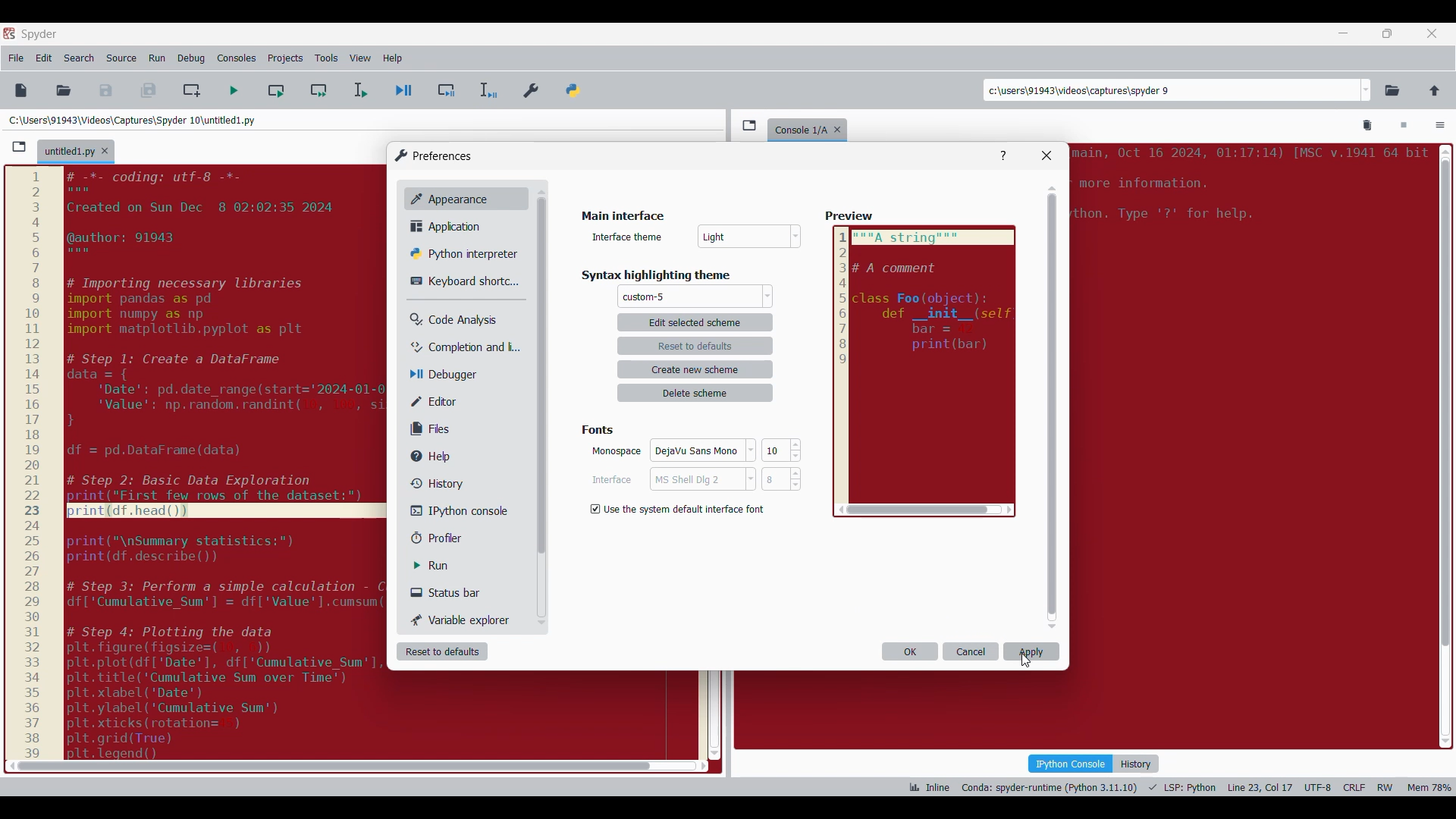  I want to click on Interrupt kernel, so click(1404, 126).